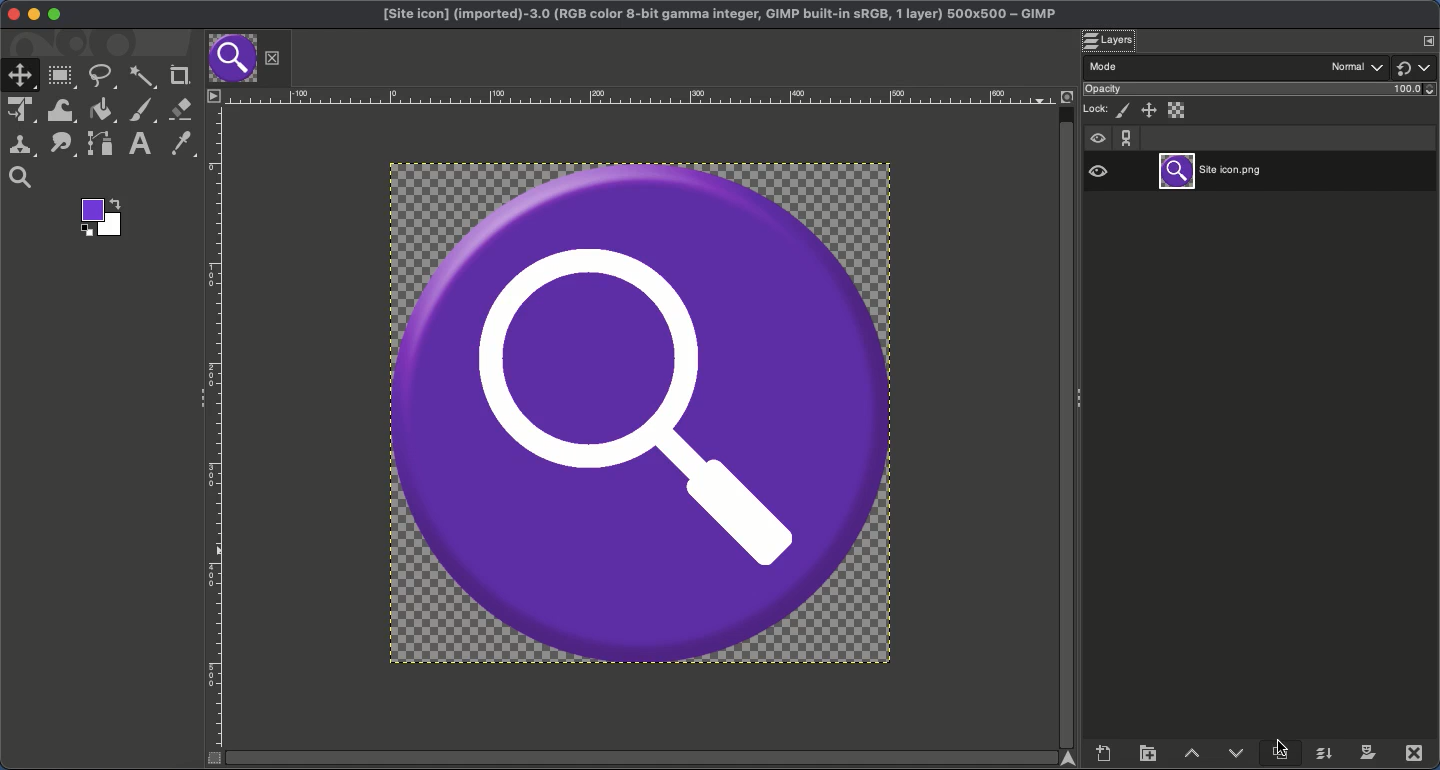 Image resolution: width=1440 pixels, height=770 pixels. I want to click on Layers, so click(1109, 40).